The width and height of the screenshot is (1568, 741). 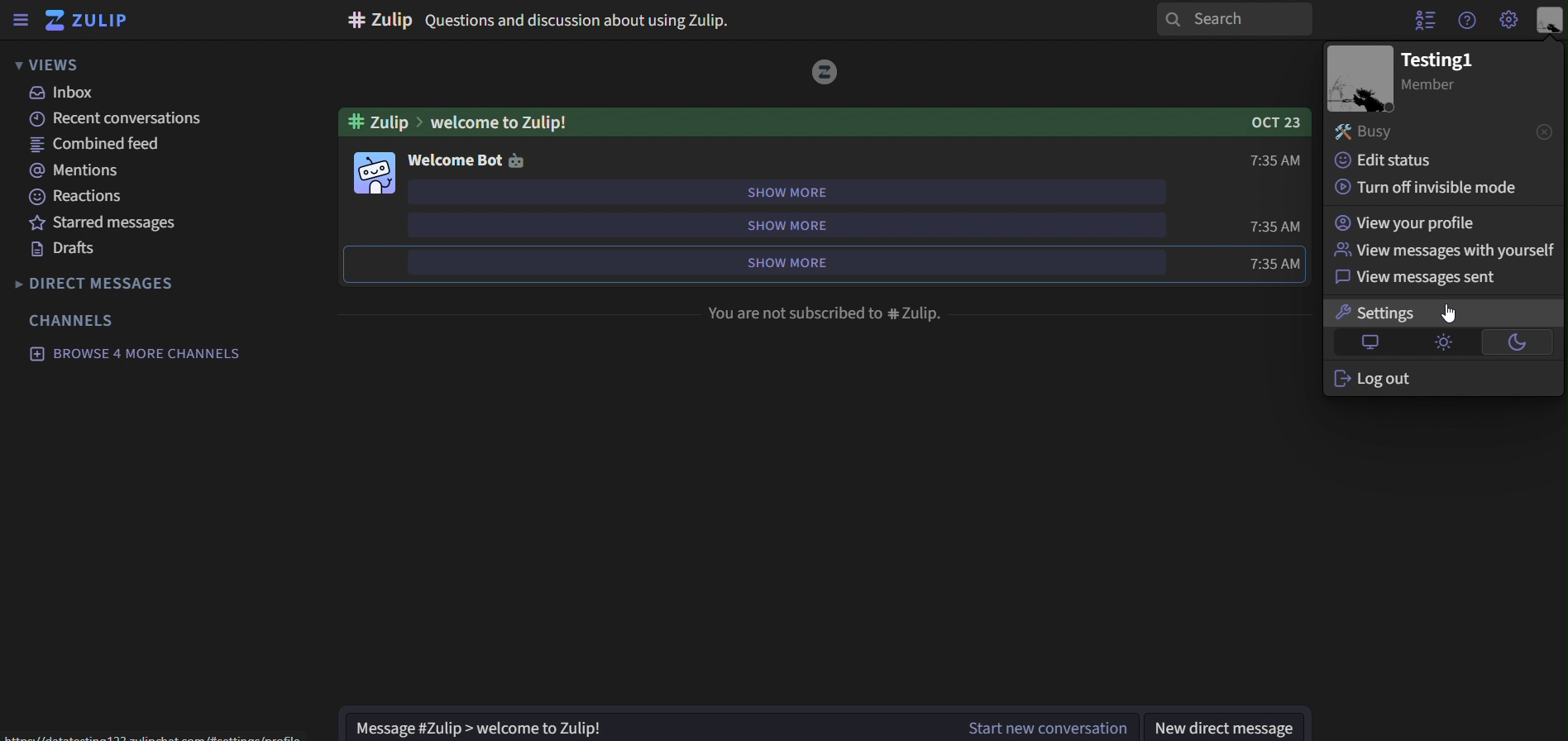 What do you see at coordinates (1510, 18) in the screenshot?
I see `settings` at bounding box center [1510, 18].